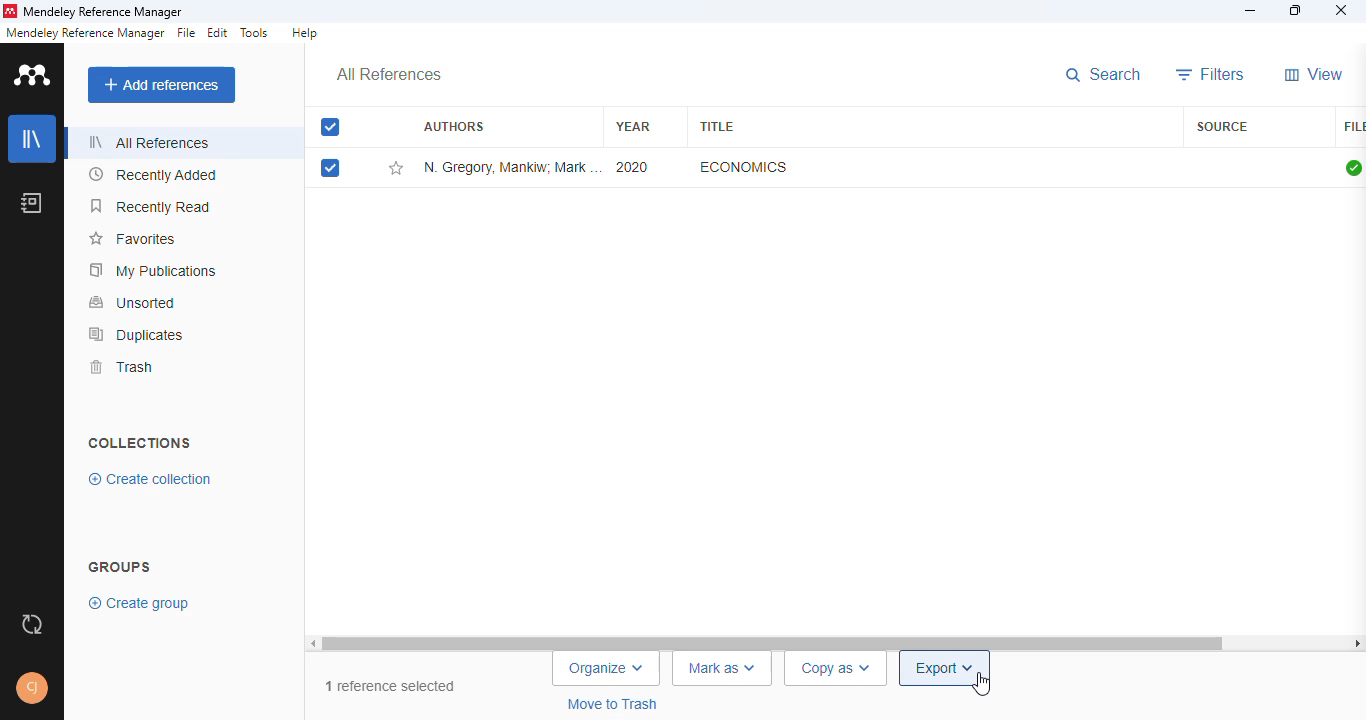 The image size is (1366, 720). I want to click on add references, so click(162, 85).